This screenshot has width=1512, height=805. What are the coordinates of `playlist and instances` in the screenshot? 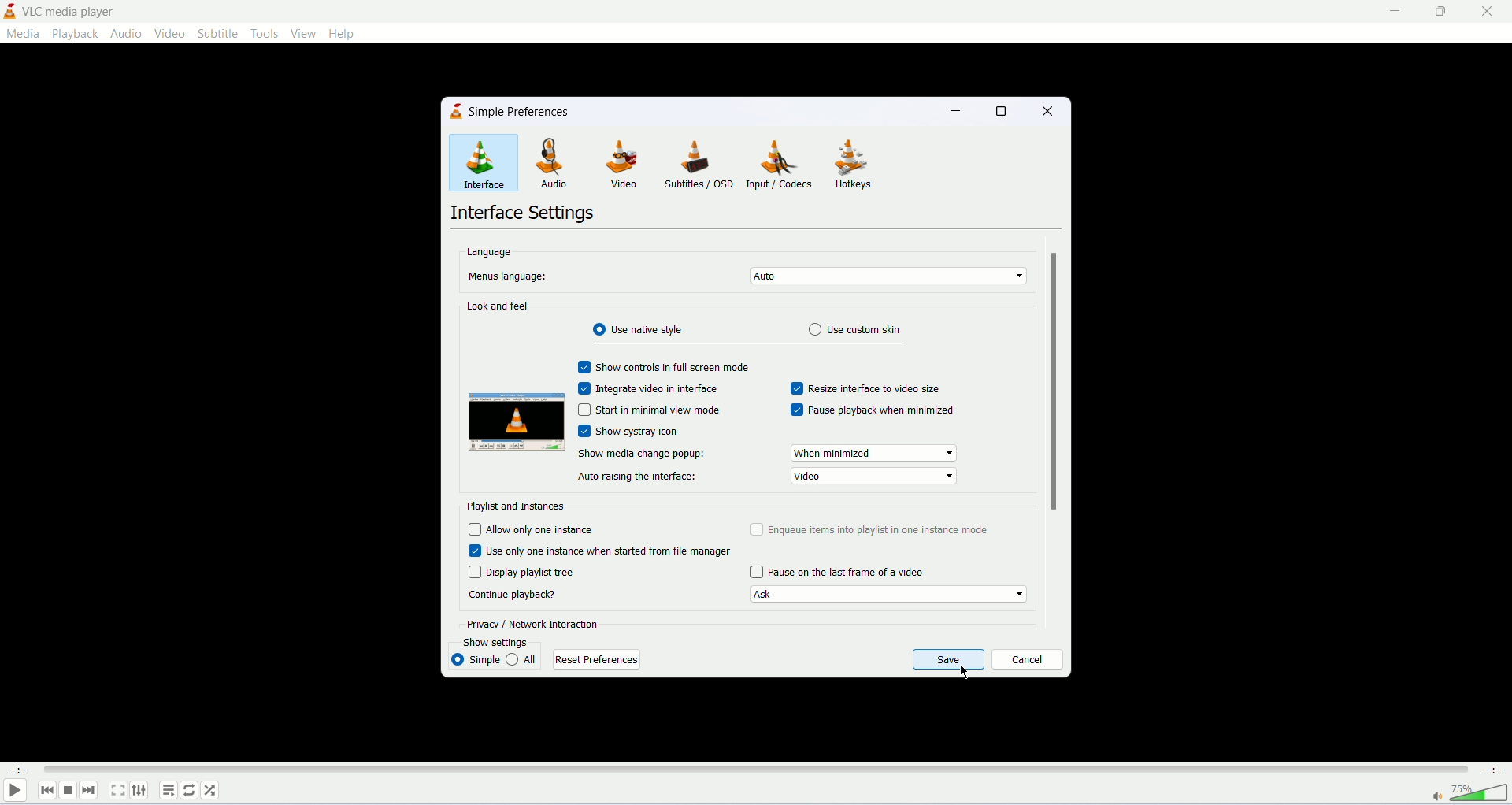 It's located at (517, 506).